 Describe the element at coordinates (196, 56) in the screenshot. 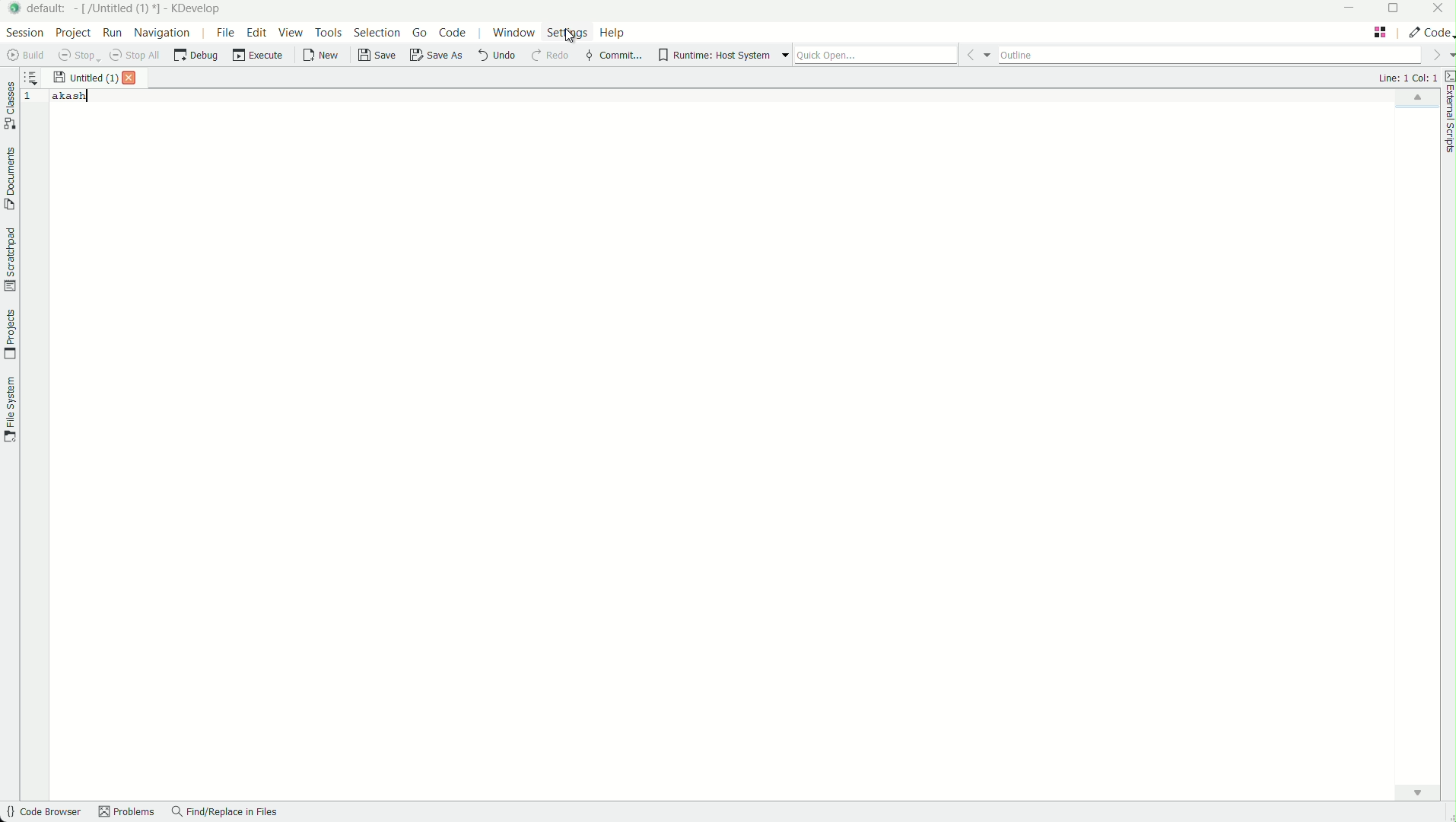

I see `debug` at that location.